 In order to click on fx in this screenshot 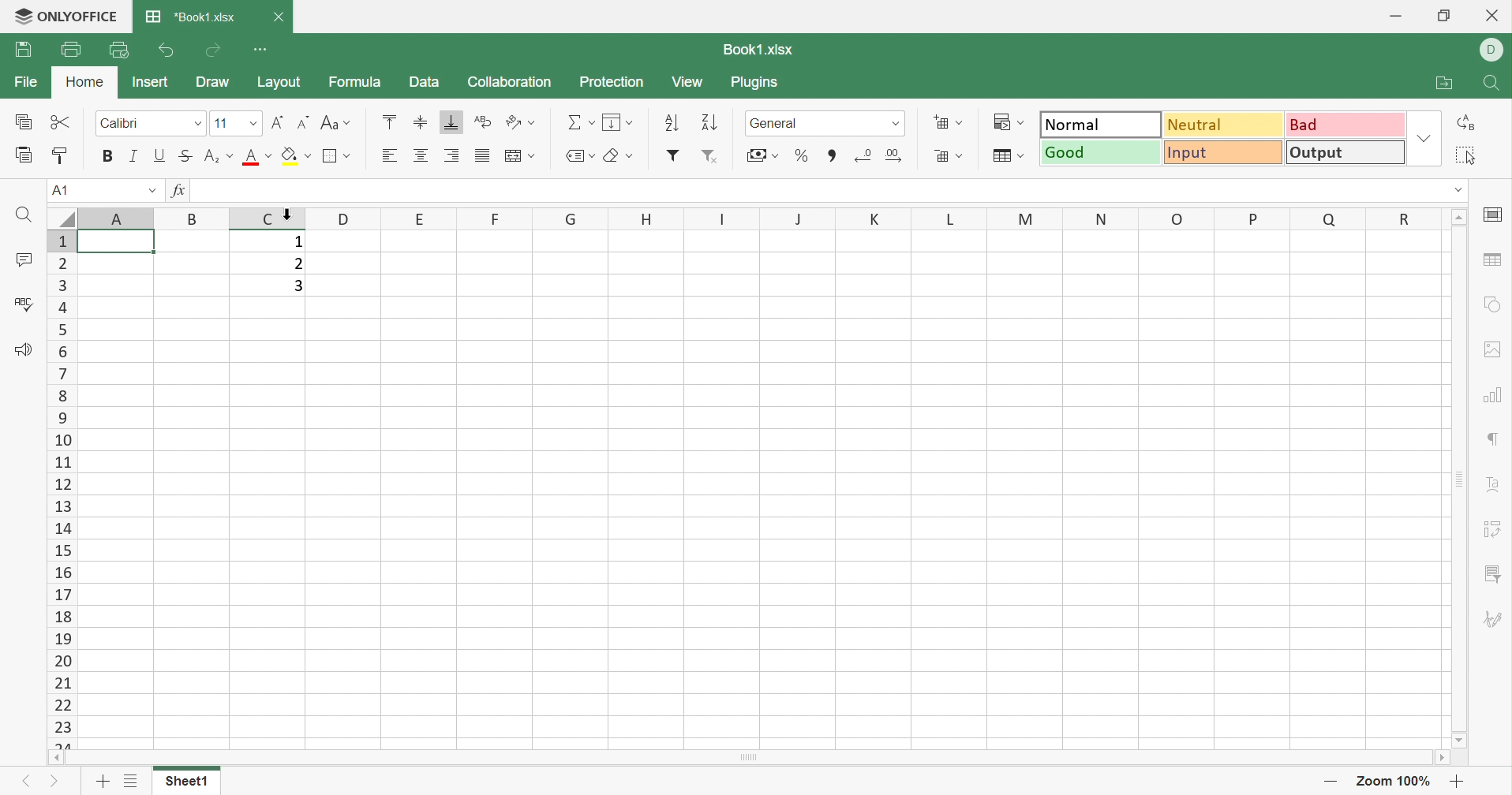, I will do `click(181, 190)`.